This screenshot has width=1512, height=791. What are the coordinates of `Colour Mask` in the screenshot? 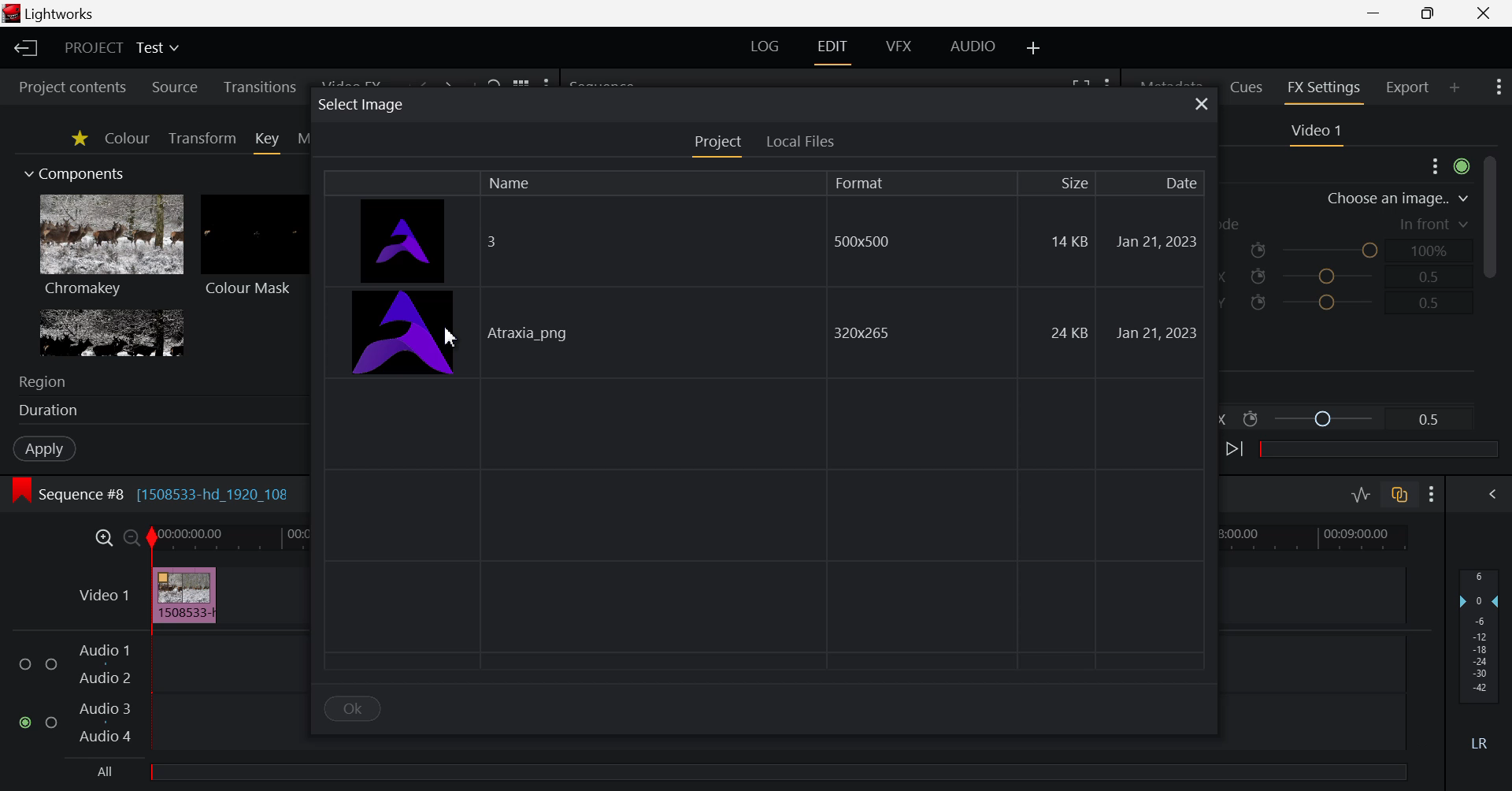 It's located at (255, 249).